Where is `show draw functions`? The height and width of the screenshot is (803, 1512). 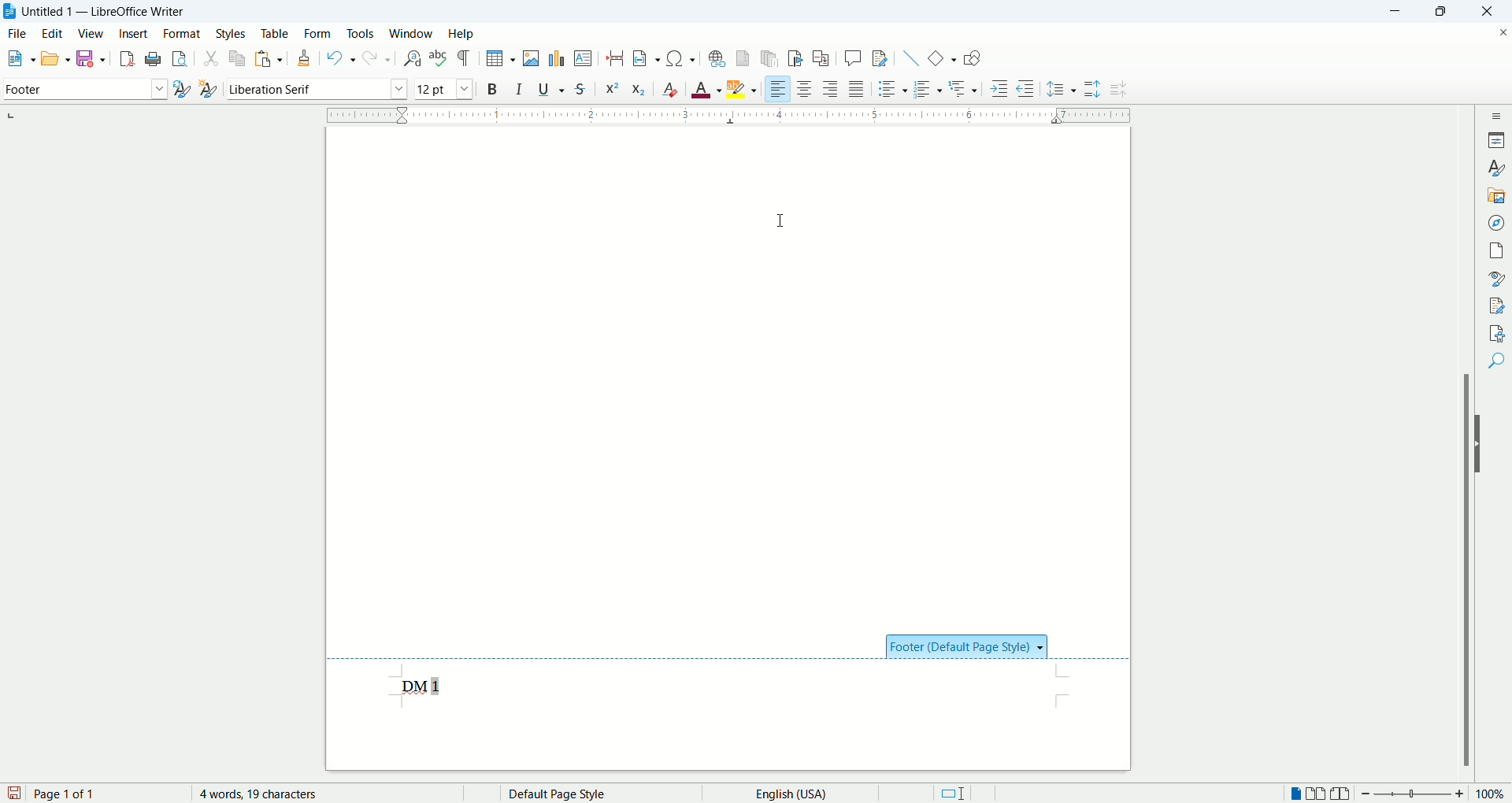 show draw functions is located at coordinates (972, 60).